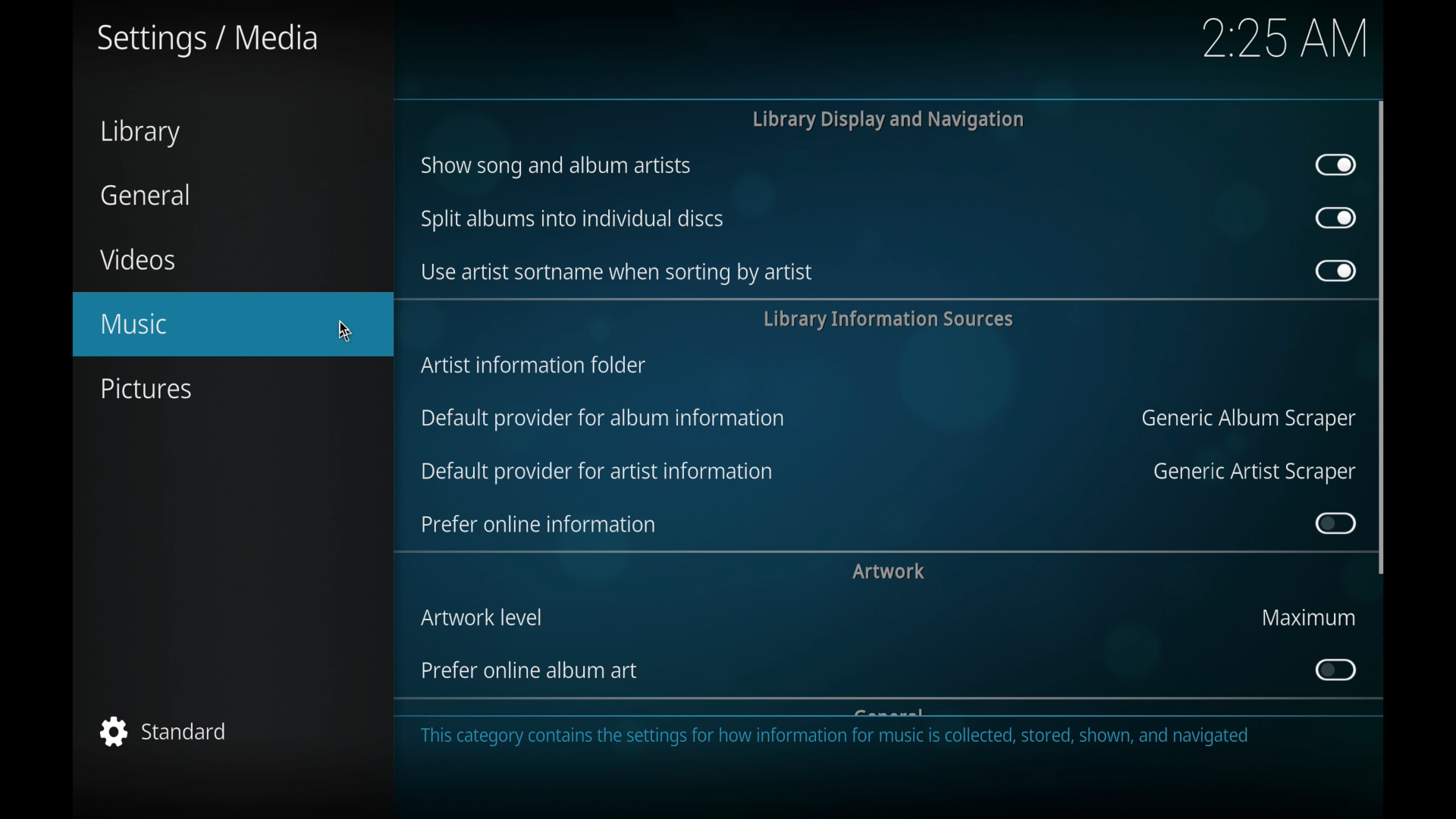 The image size is (1456, 819). I want to click on library, so click(141, 132).